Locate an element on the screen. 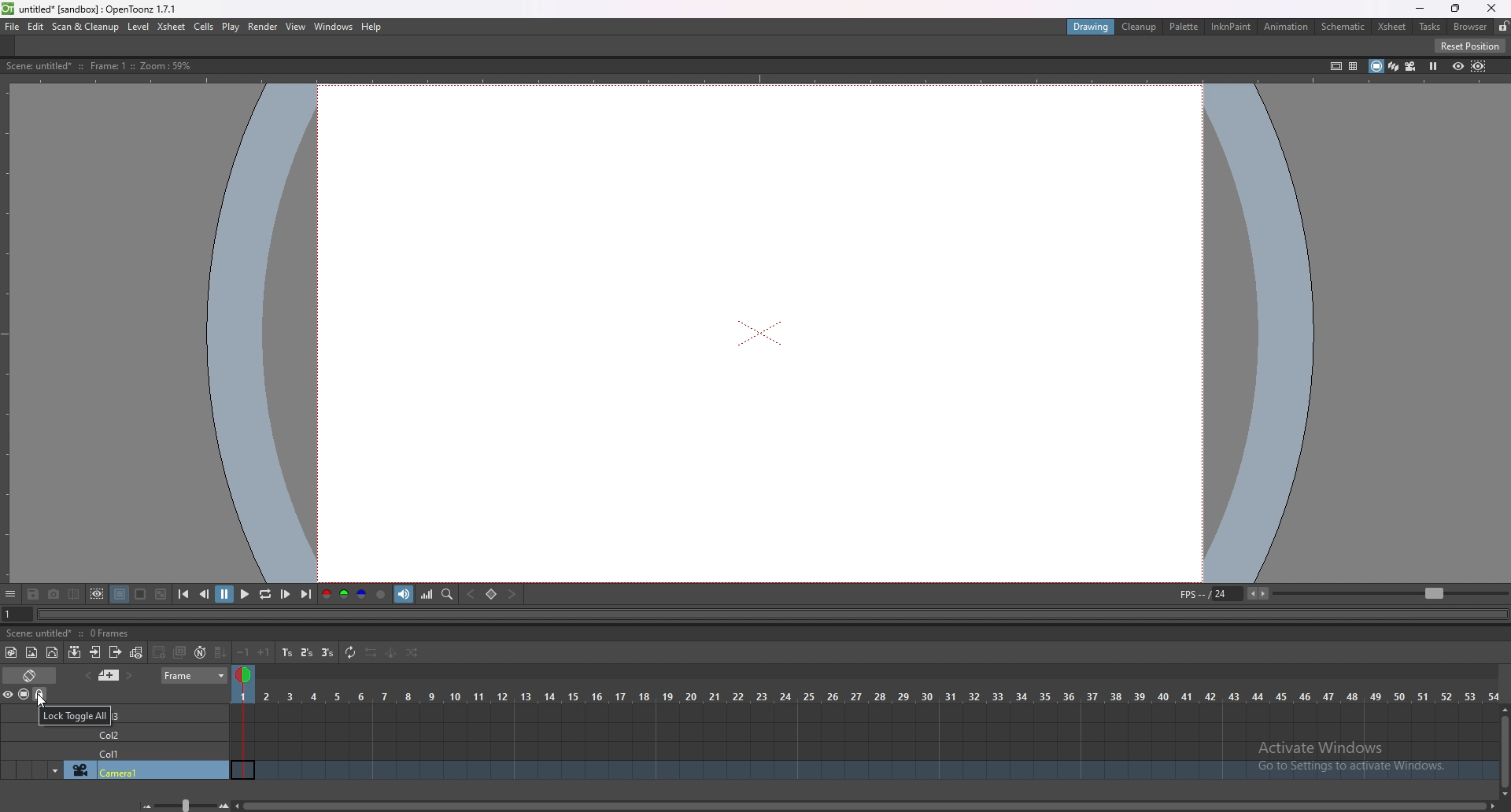 The image size is (1511, 812). sub camera preview is located at coordinates (1479, 66).